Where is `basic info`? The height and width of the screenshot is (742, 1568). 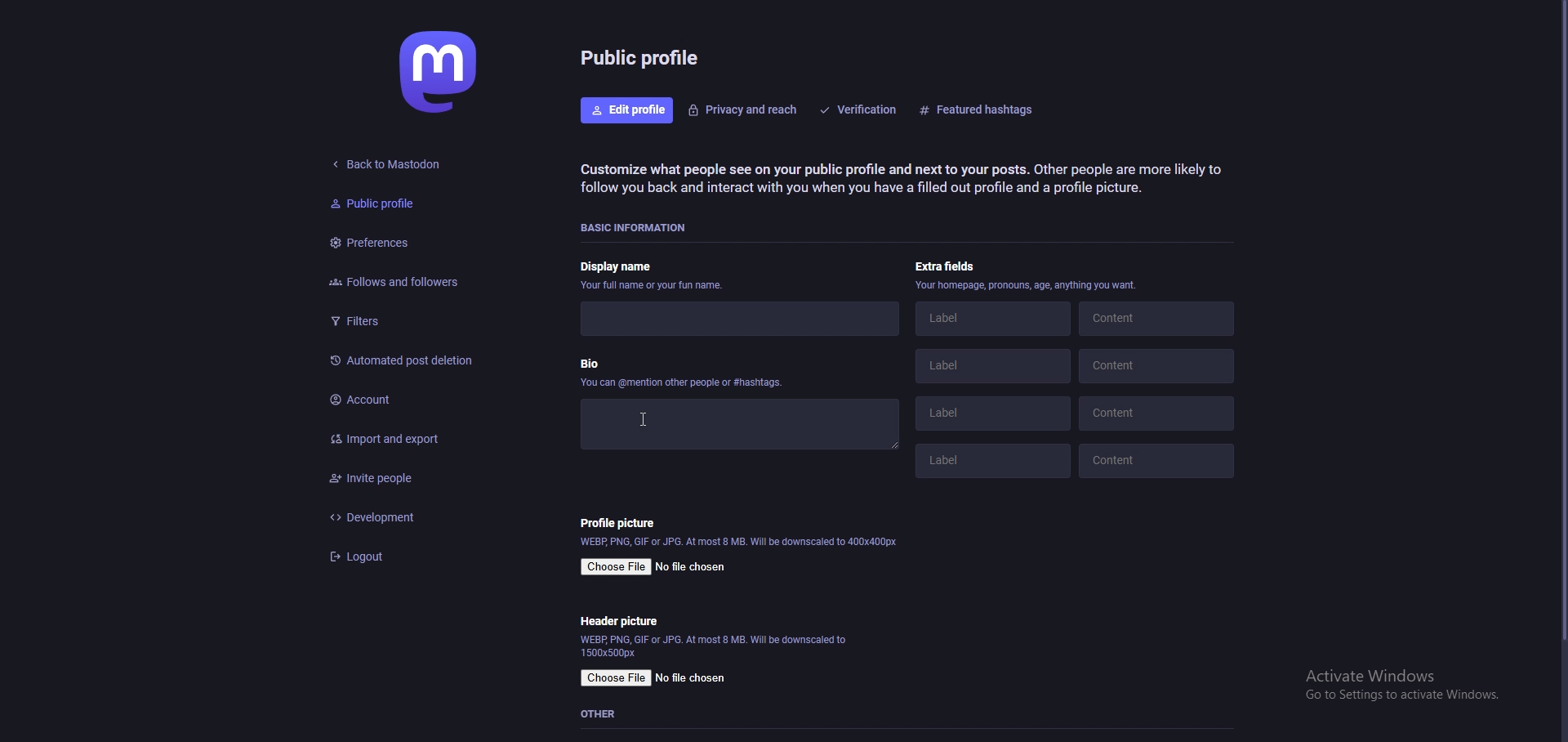
basic info is located at coordinates (637, 229).